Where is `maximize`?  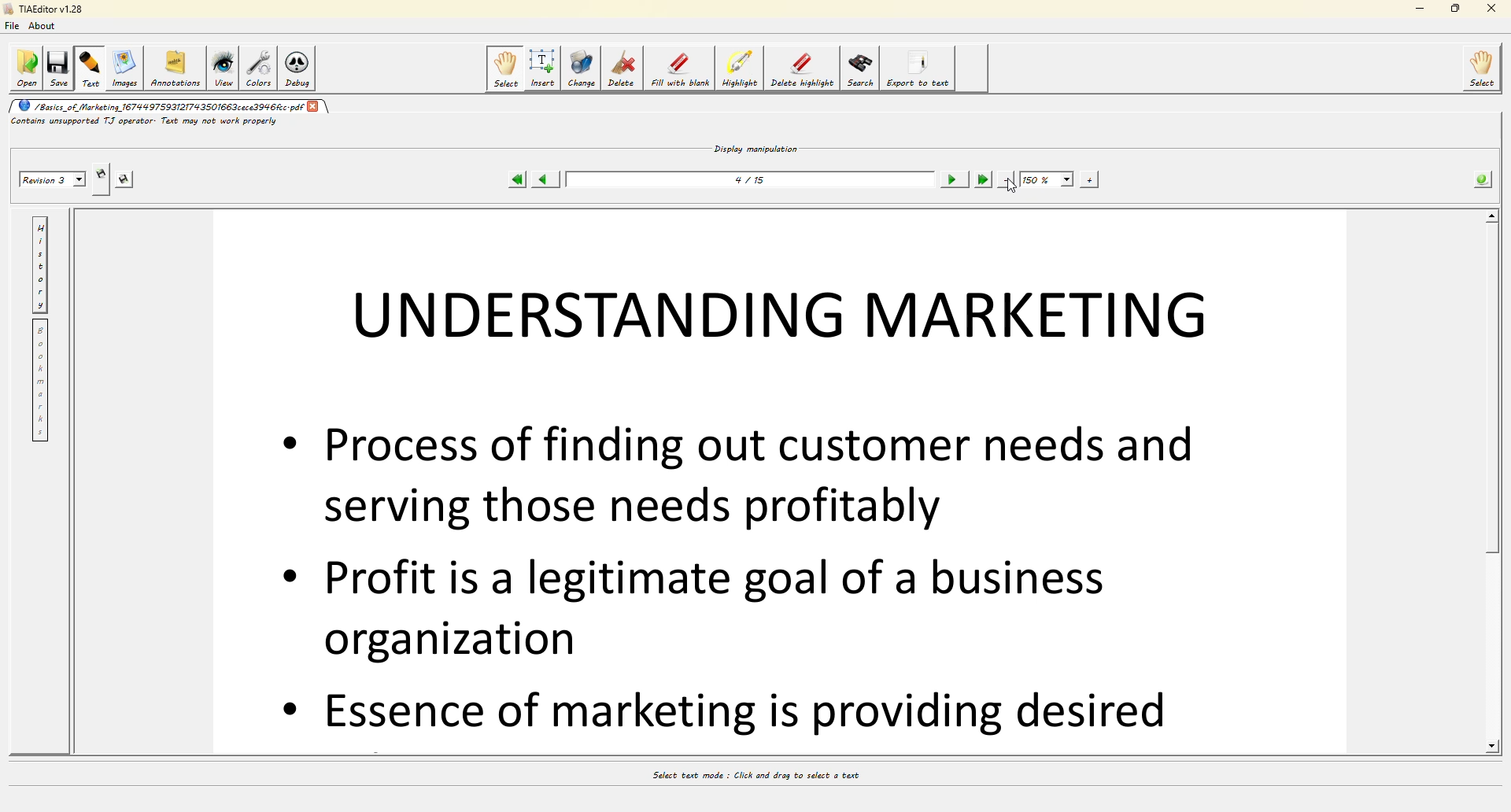 maximize is located at coordinates (1457, 8).